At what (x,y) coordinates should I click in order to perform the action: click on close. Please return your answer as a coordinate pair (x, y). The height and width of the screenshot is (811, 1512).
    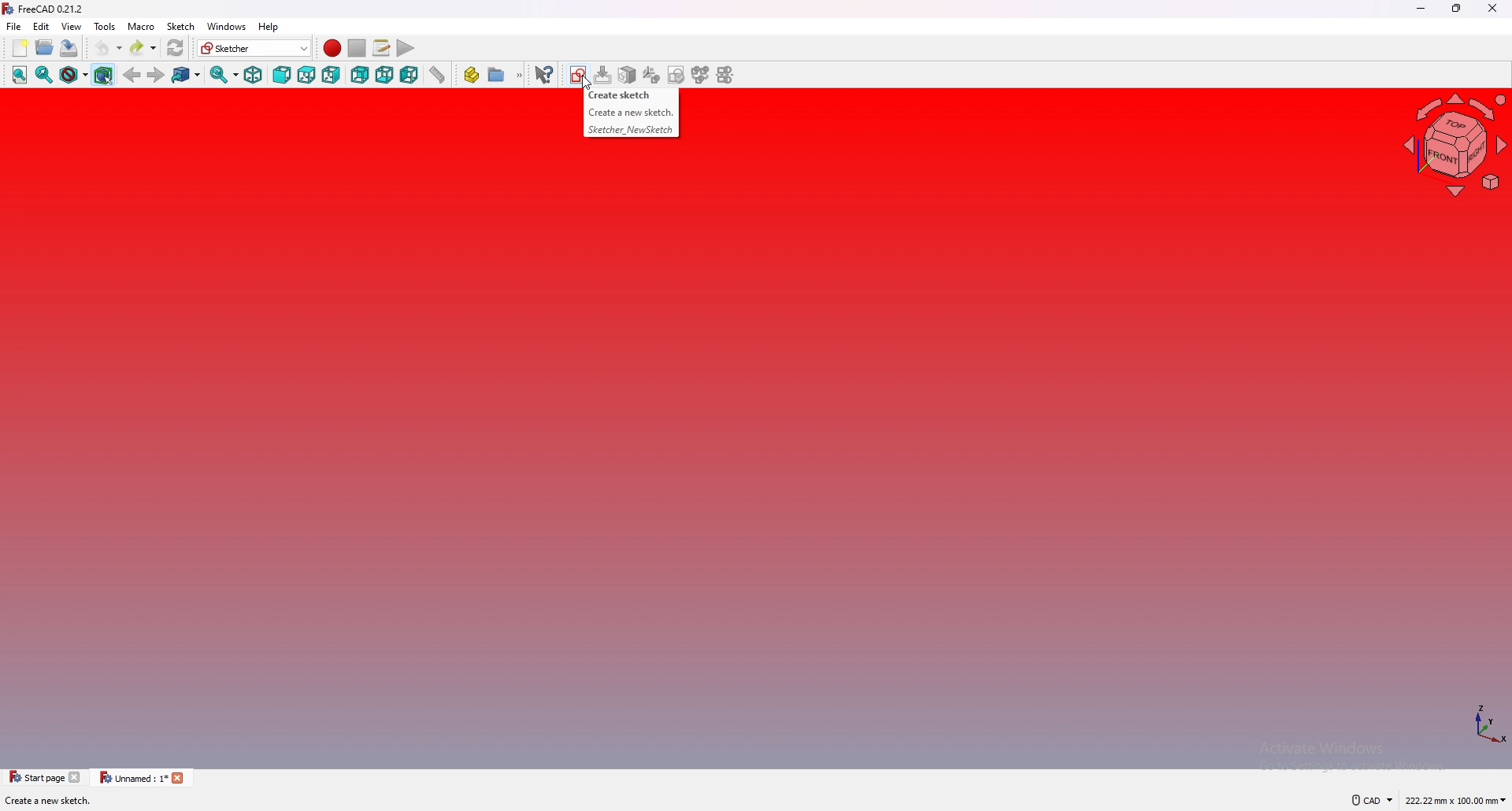
    Looking at the image, I should click on (1492, 8).